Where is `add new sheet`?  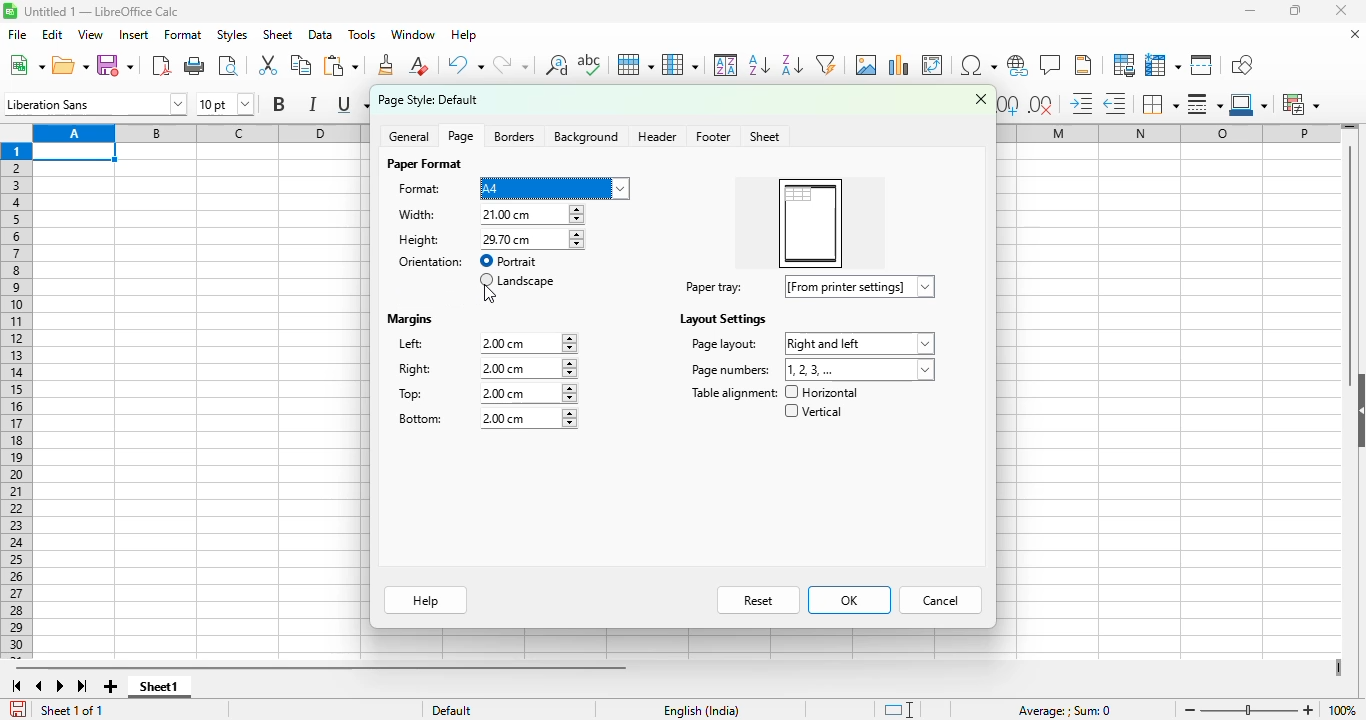 add new sheet is located at coordinates (111, 687).